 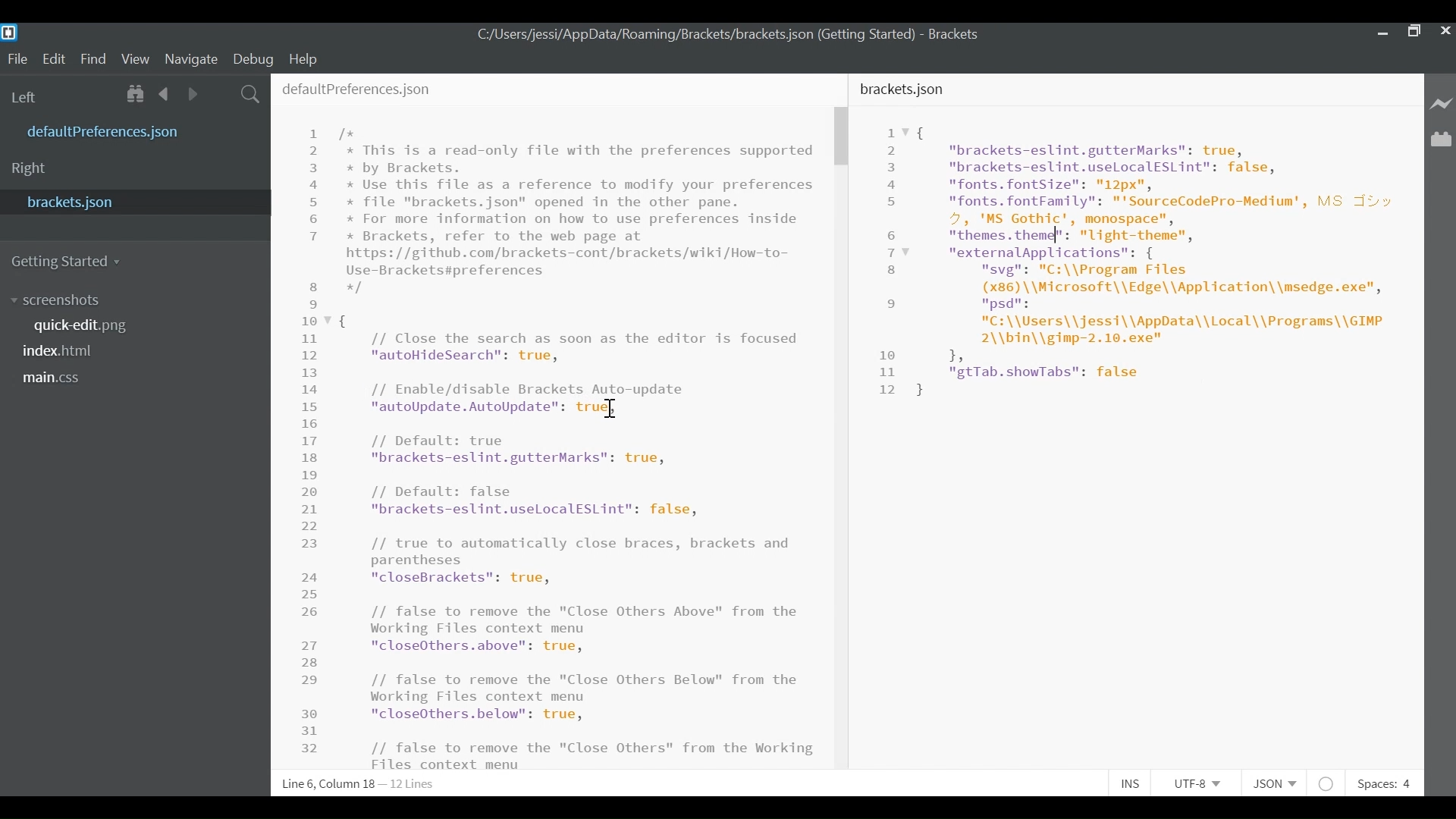 I want to click on Navigate back, so click(x=165, y=93).